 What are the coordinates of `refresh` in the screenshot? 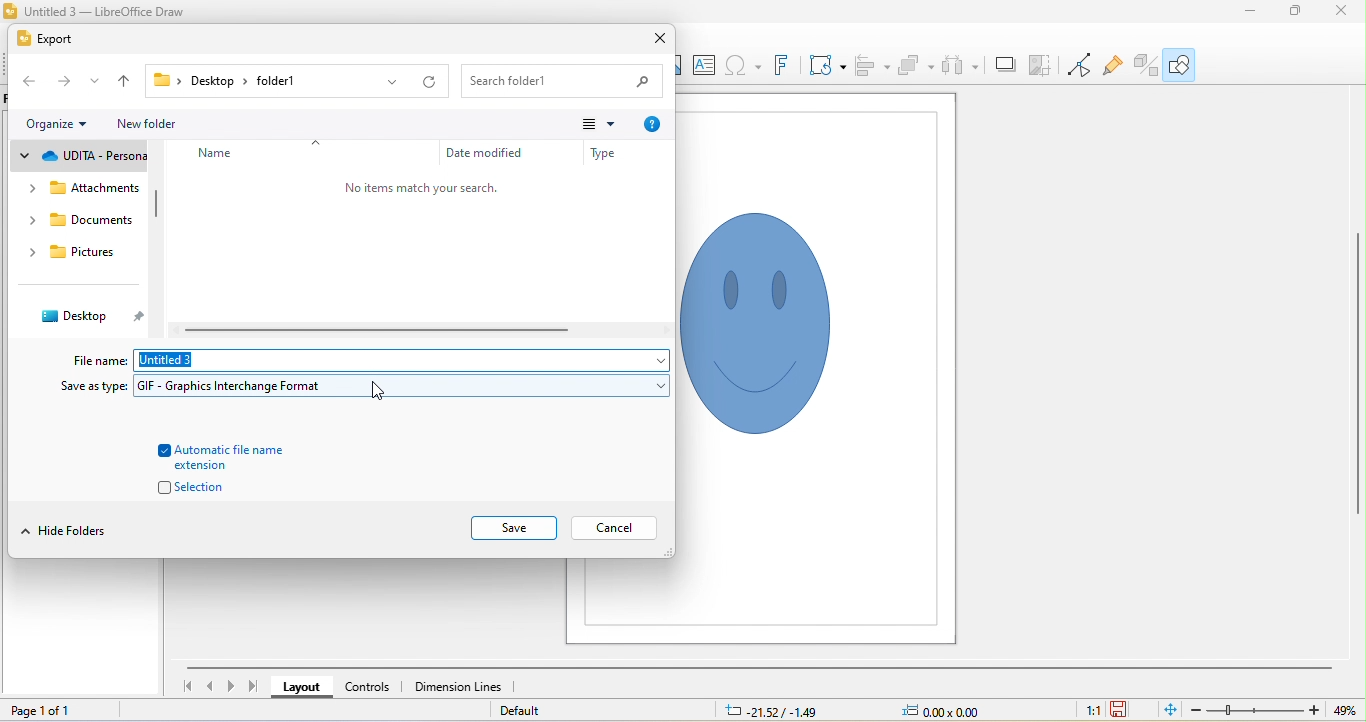 It's located at (428, 82).